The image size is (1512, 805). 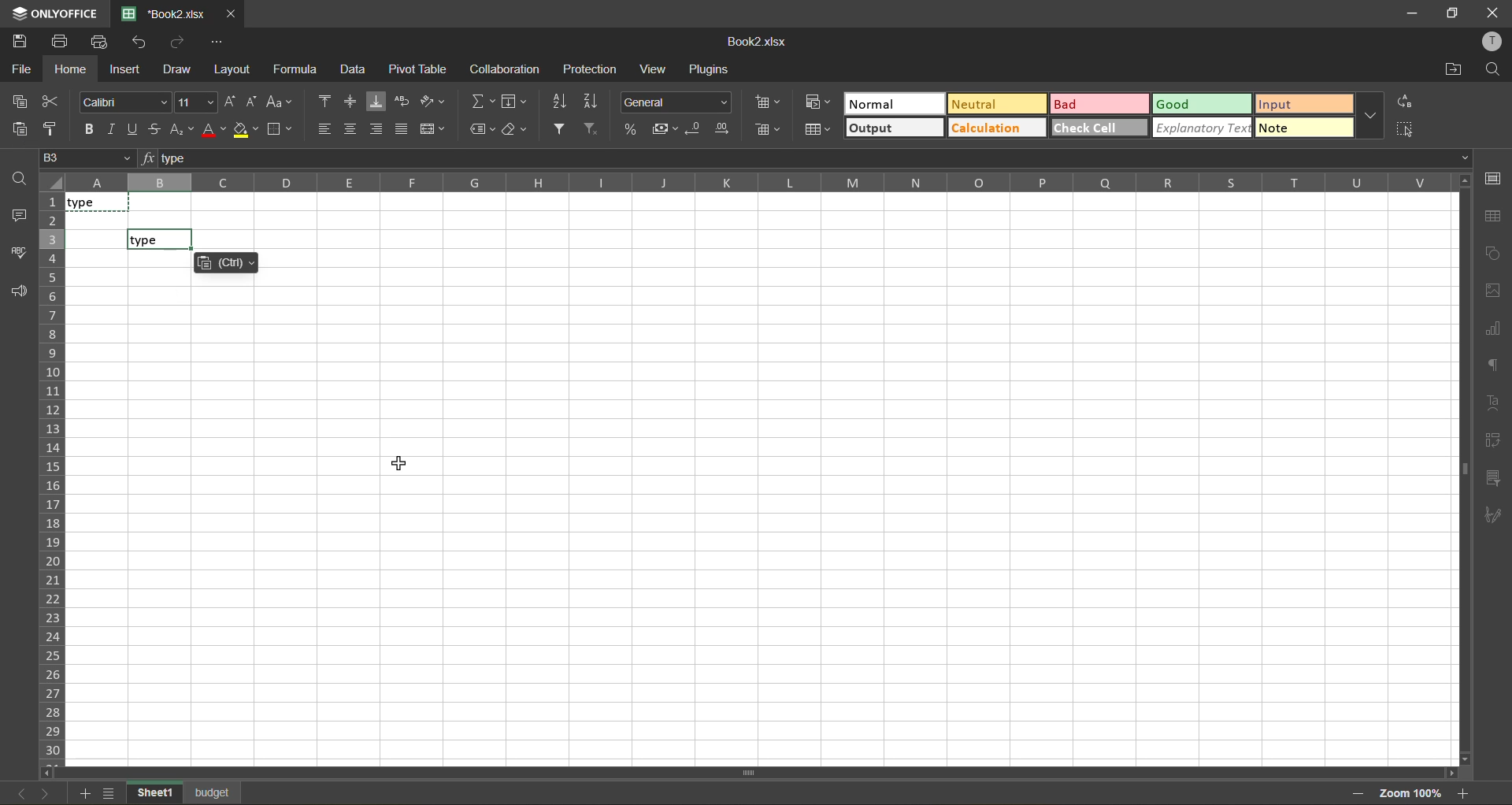 What do you see at coordinates (590, 130) in the screenshot?
I see `clear filter` at bounding box center [590, 130].